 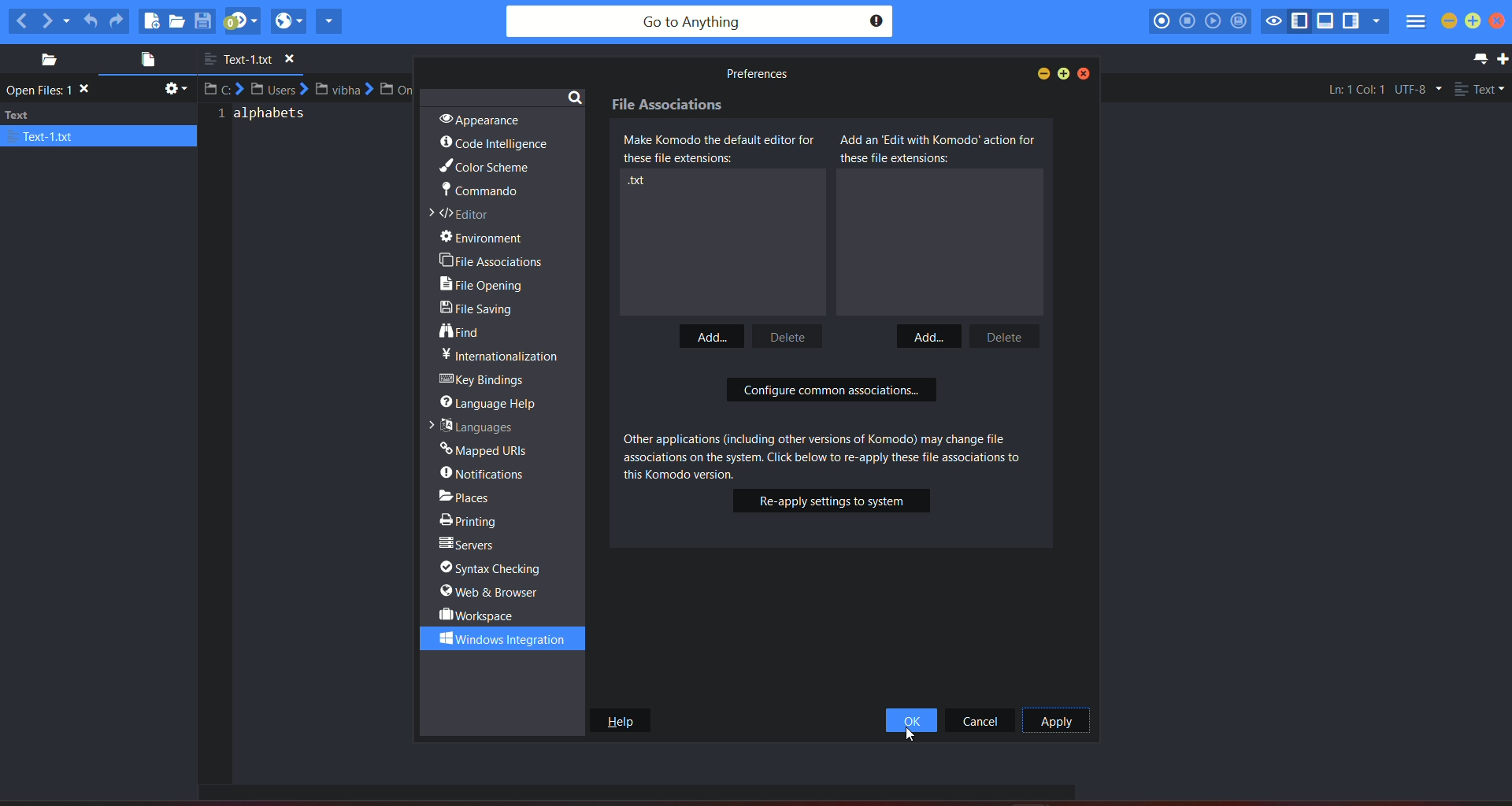 What do you see at coordinates (205, 20) in the screenshot?
I see `save file` at bounding box center [205, 20].